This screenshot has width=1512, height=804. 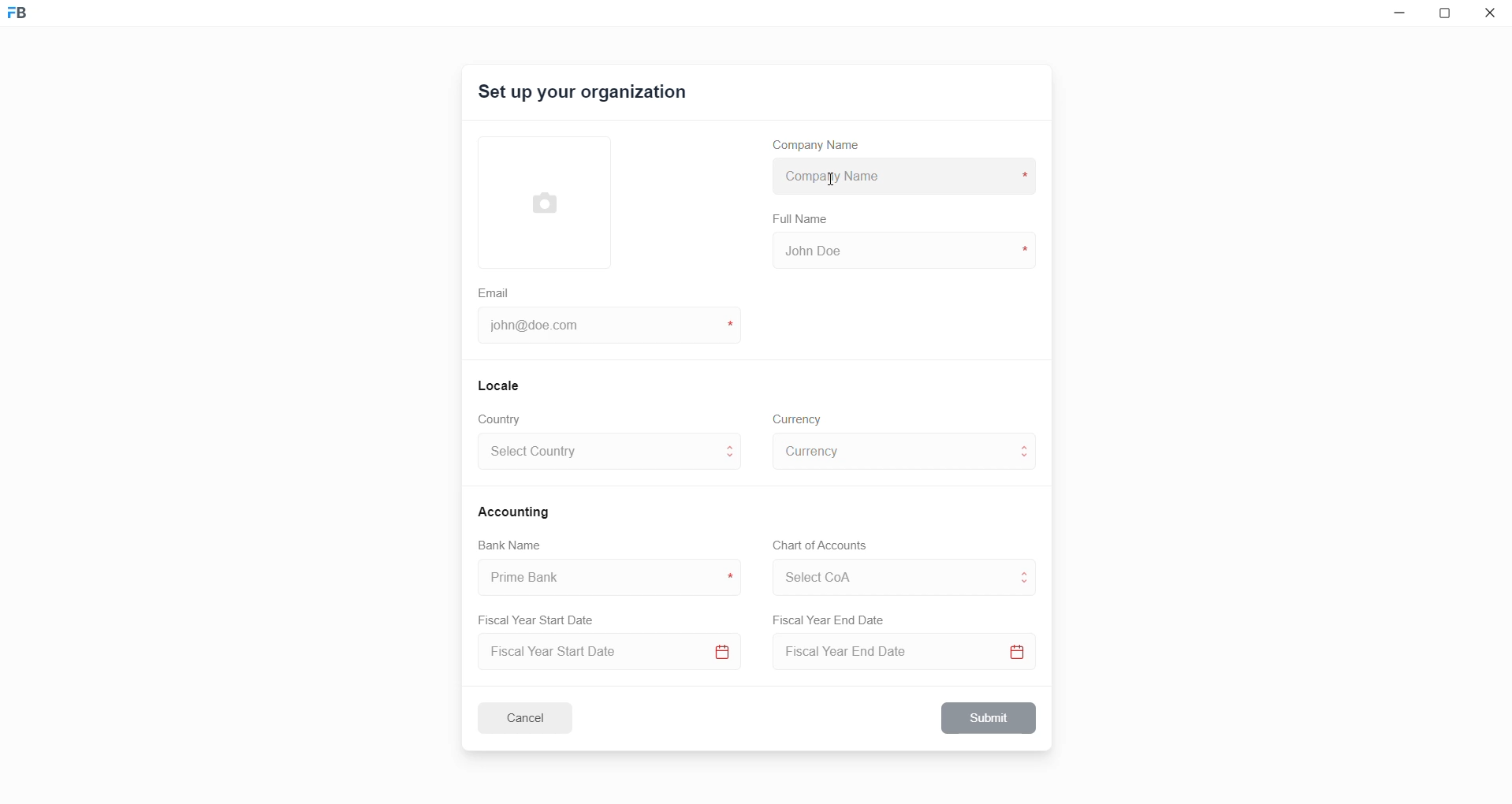 What do you see at coordinates (584, 95) in the screenshot?
I see `Set up your organization` at bounding box center [584, 95].